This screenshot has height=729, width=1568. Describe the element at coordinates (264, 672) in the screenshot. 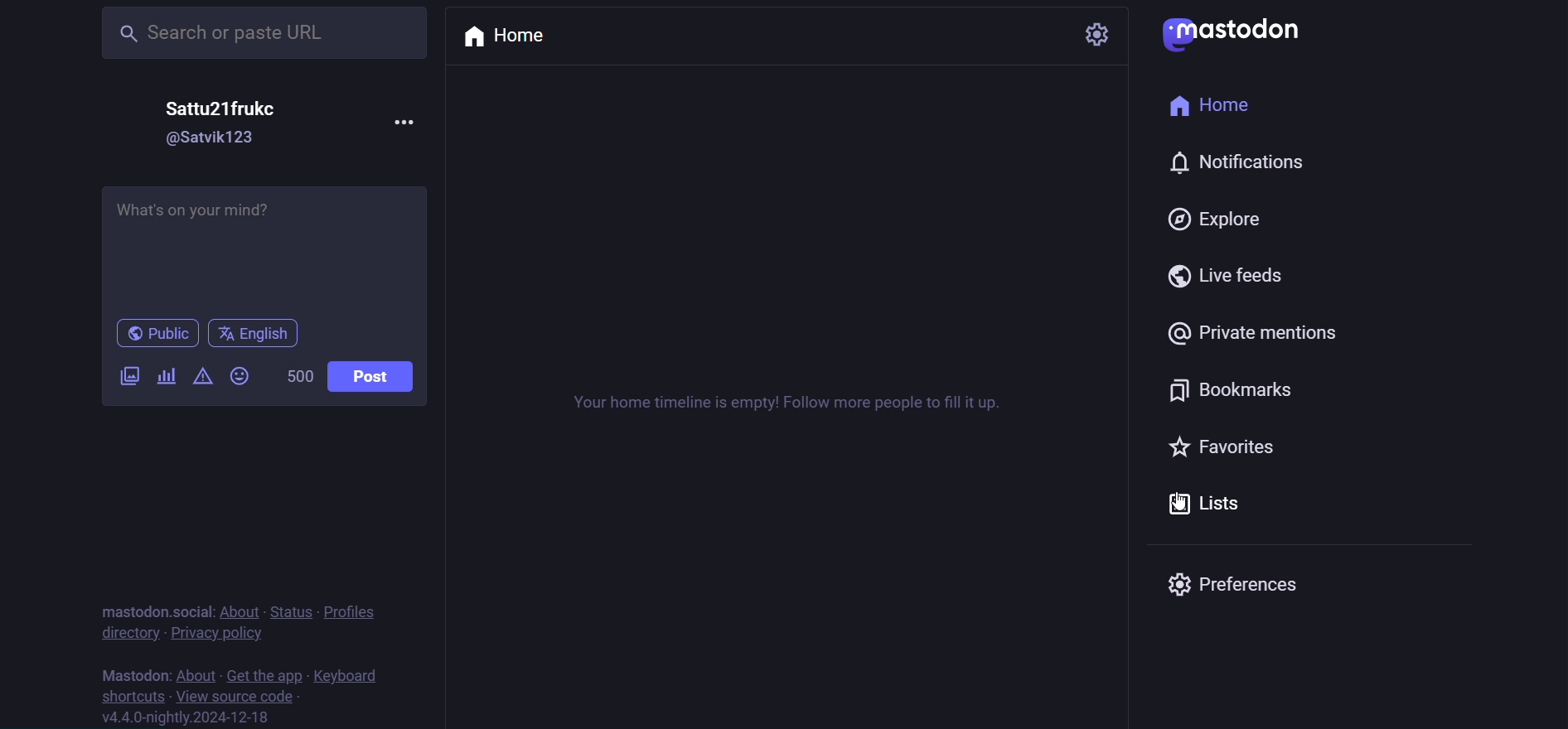

I see `get the app` at that location.